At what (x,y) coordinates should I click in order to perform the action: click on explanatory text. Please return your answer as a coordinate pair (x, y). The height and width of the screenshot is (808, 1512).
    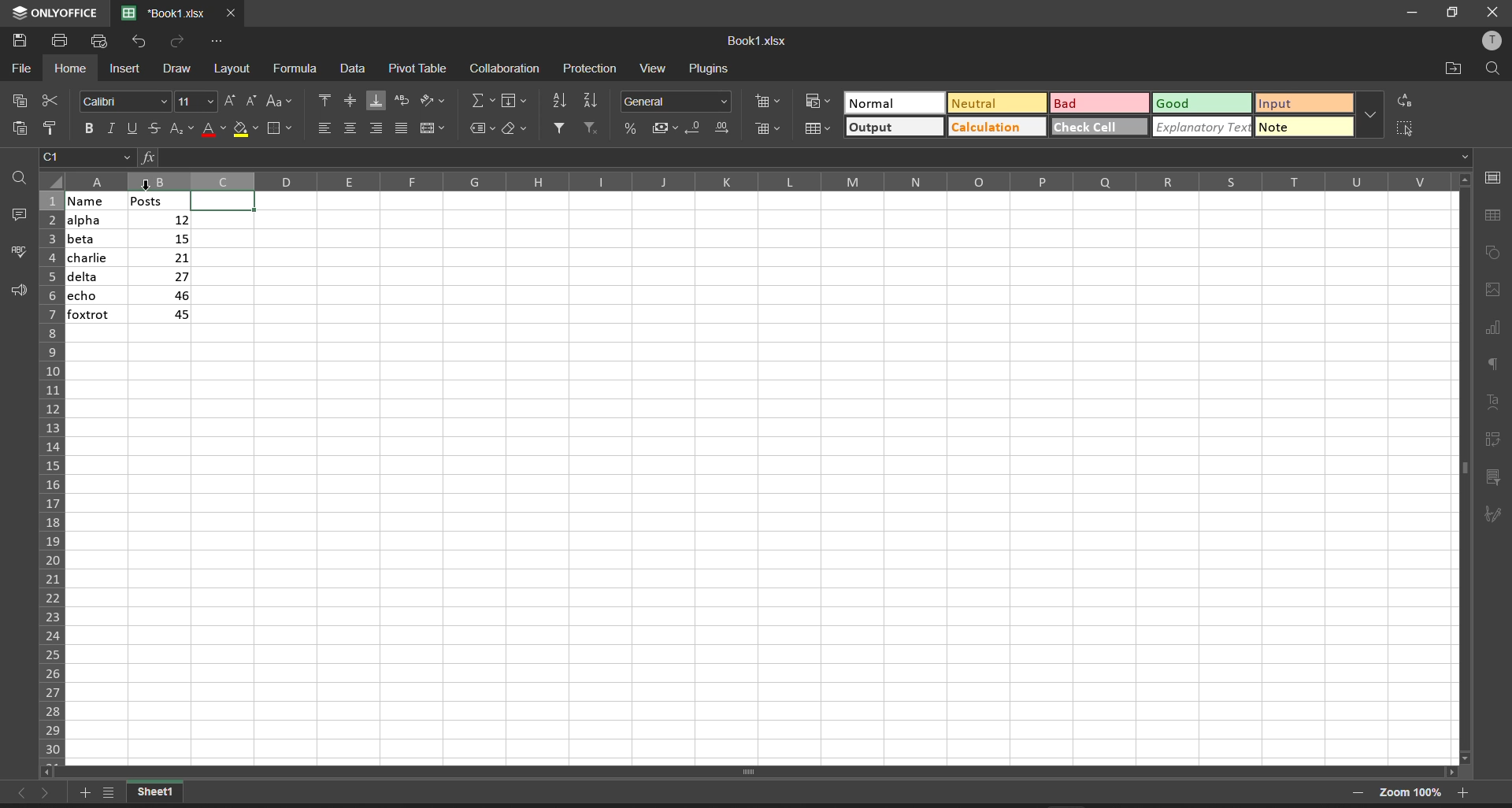
    Looking at the image, I should click on (1203, 128).